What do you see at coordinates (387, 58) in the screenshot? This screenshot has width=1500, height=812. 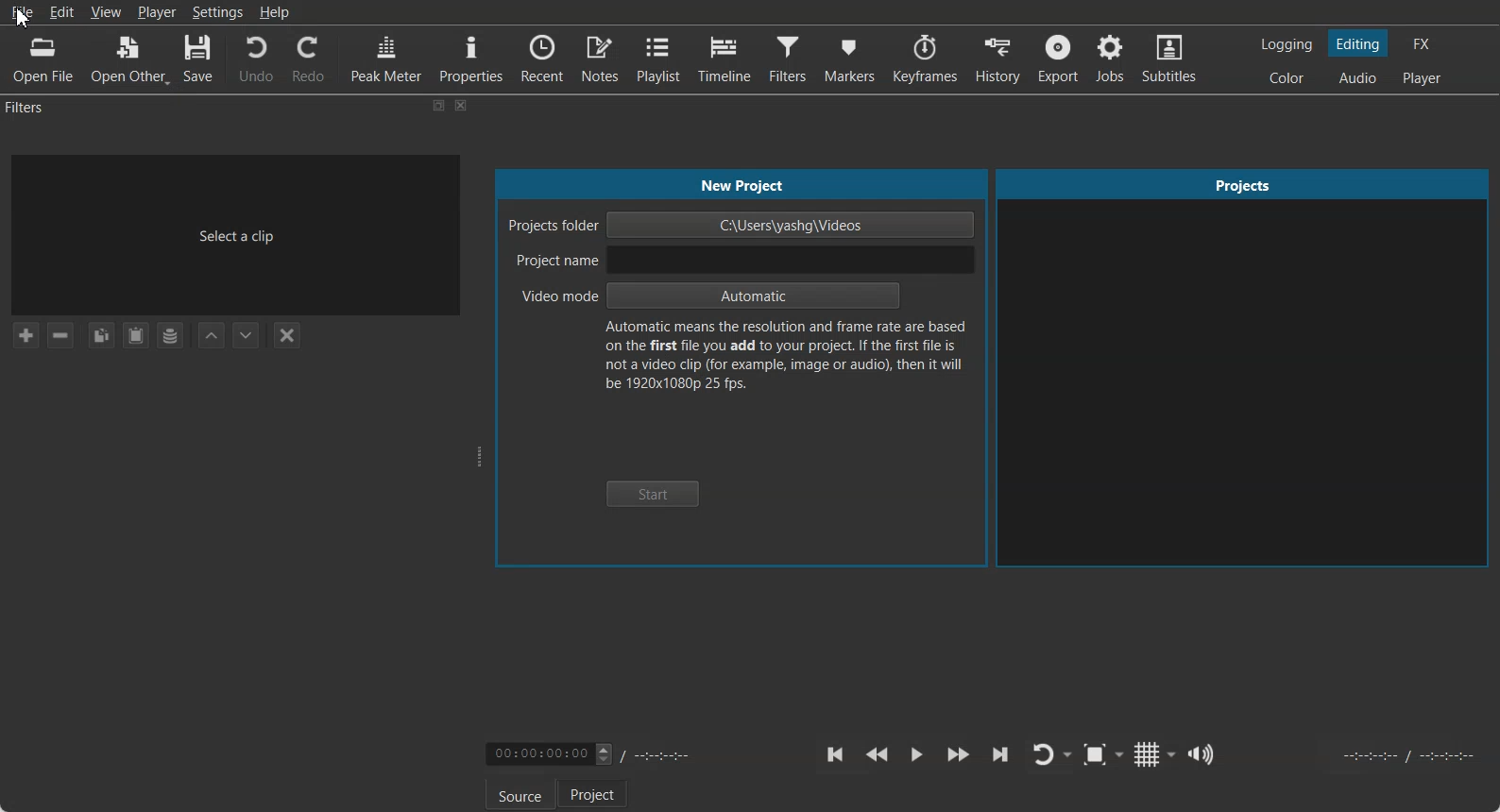 I see `Peak Meter` at bounding box center [387, 58].